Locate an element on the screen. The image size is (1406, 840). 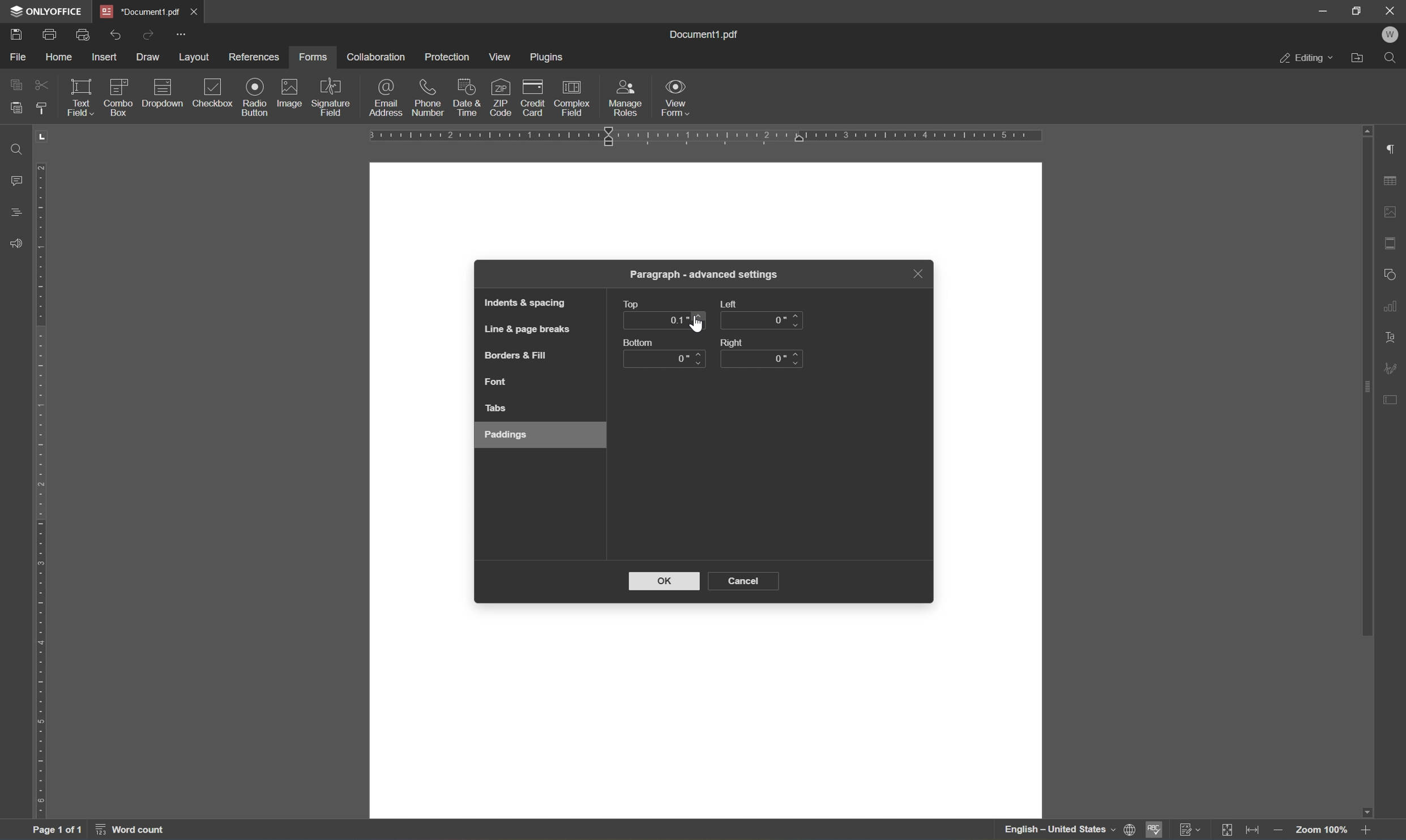
date & time is located at coordinates (466, 96).